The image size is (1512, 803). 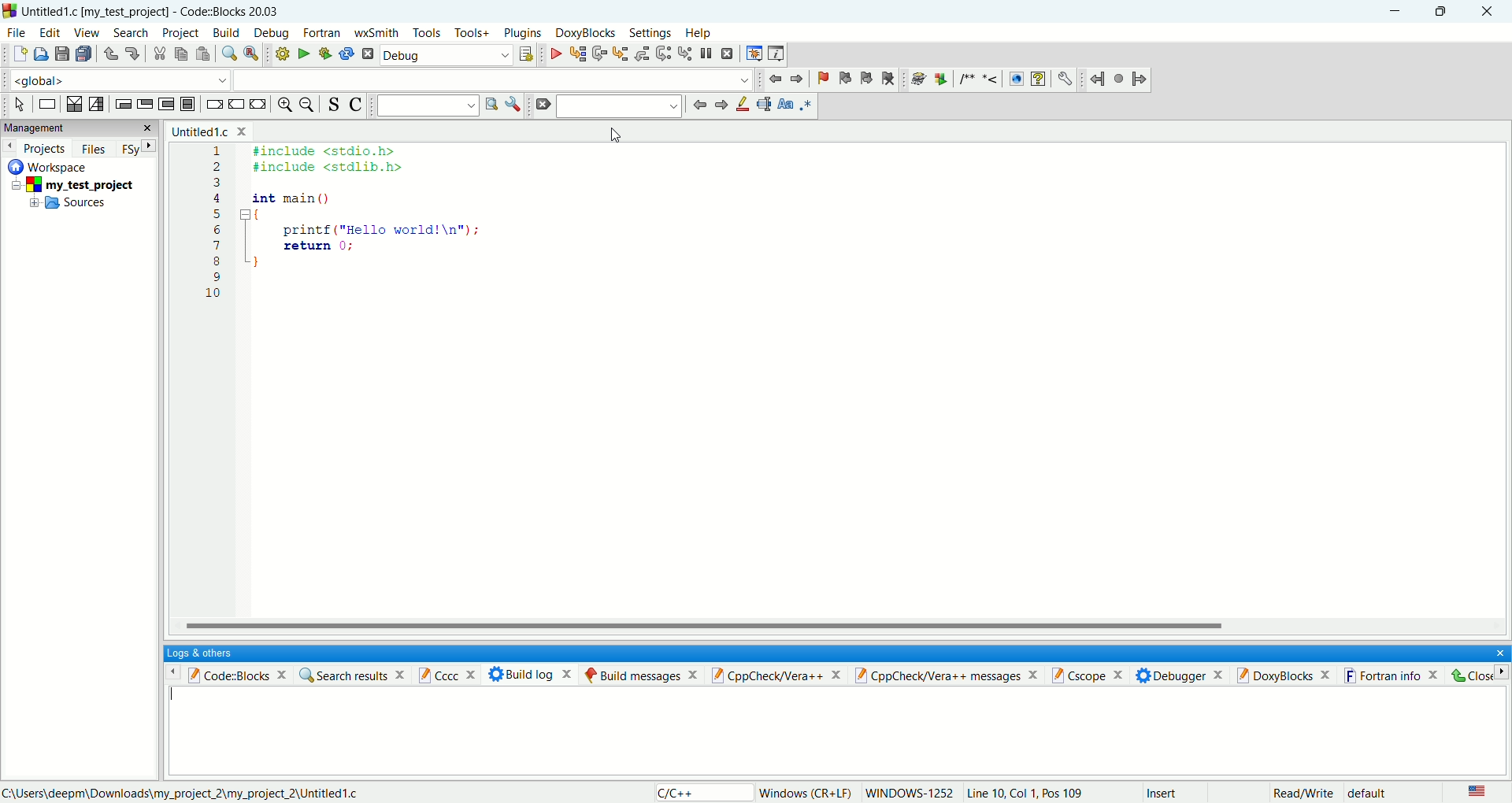 I want to click on tools+, so click(x=470, y=32).